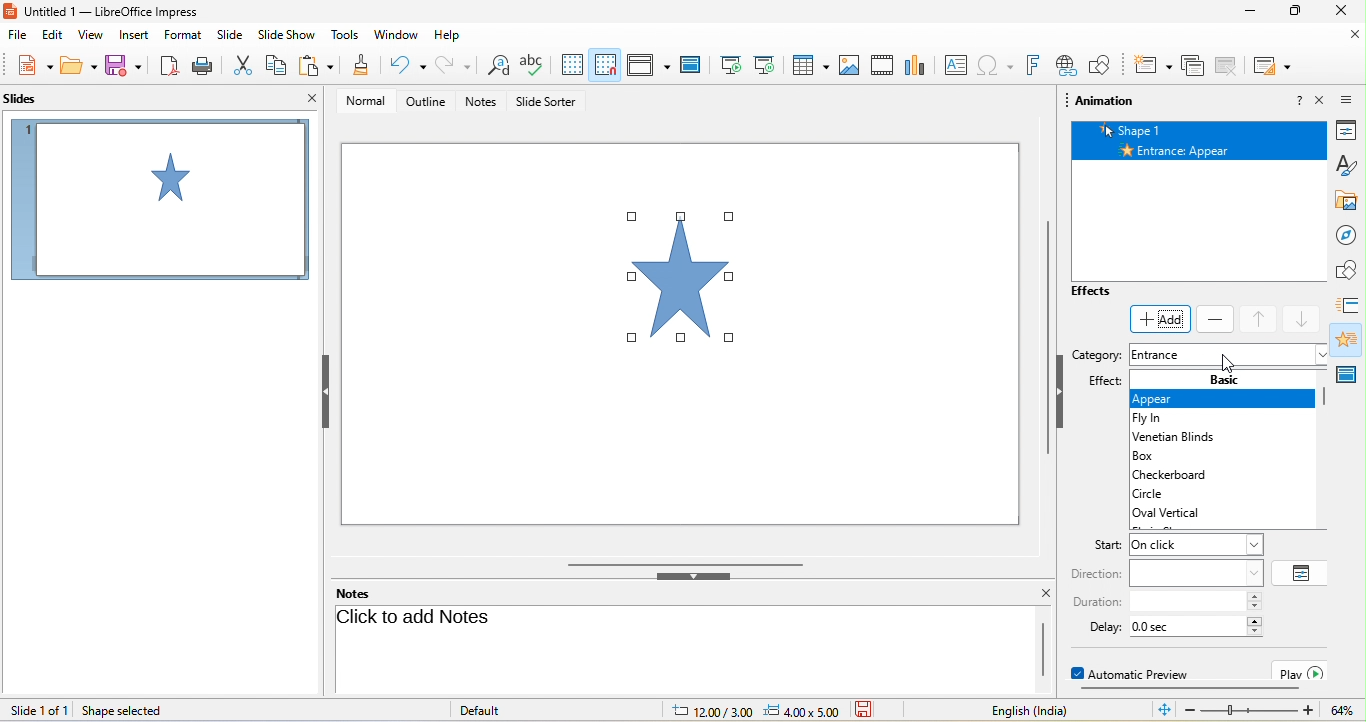 The image size is (1366, 722). Describe the element at coordinates (1351, 36) in the screenshot. I see `close` at that location.